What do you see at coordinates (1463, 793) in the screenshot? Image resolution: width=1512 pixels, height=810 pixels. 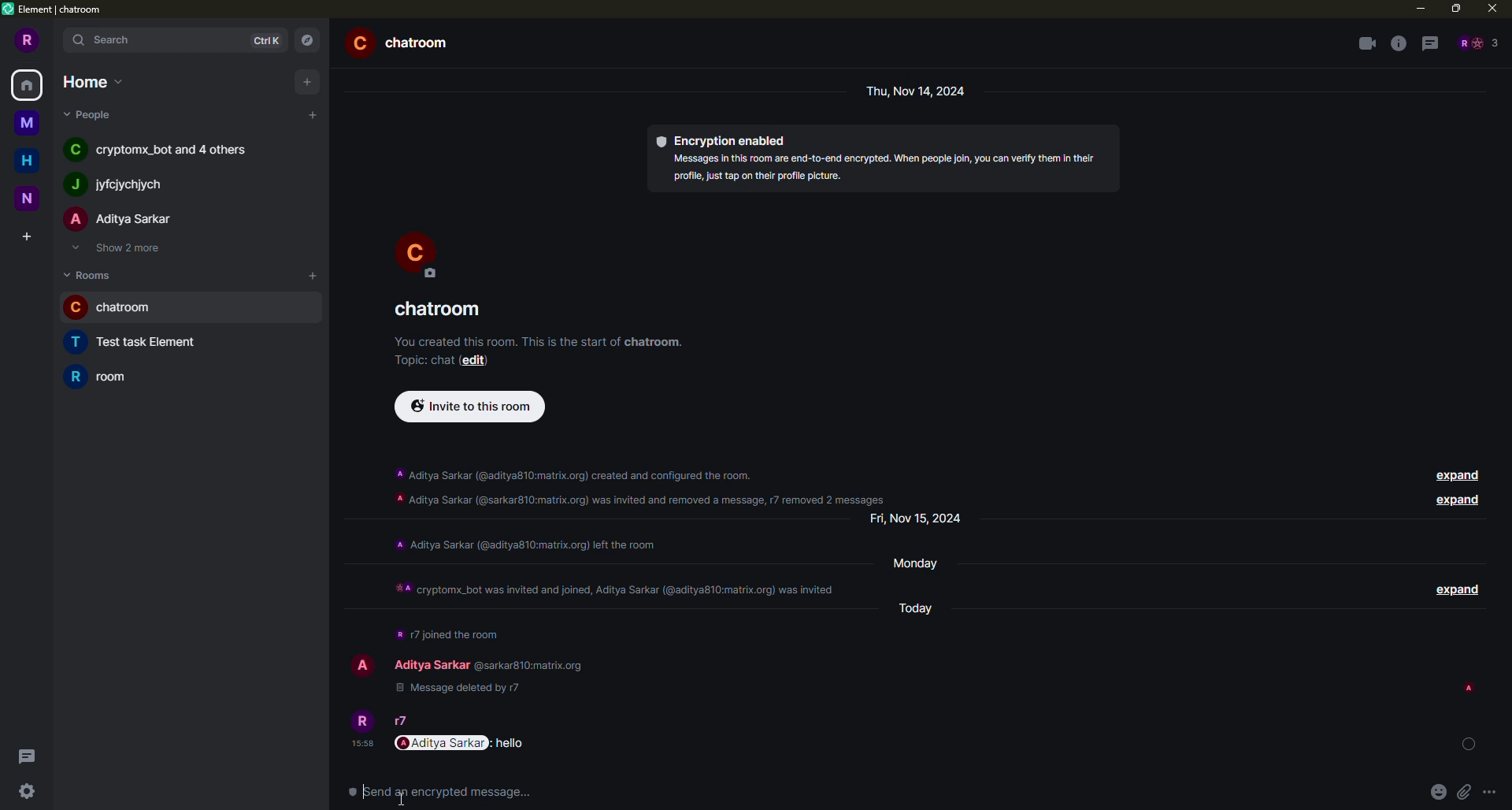 I see `more` at bounding box center [1463, 793].